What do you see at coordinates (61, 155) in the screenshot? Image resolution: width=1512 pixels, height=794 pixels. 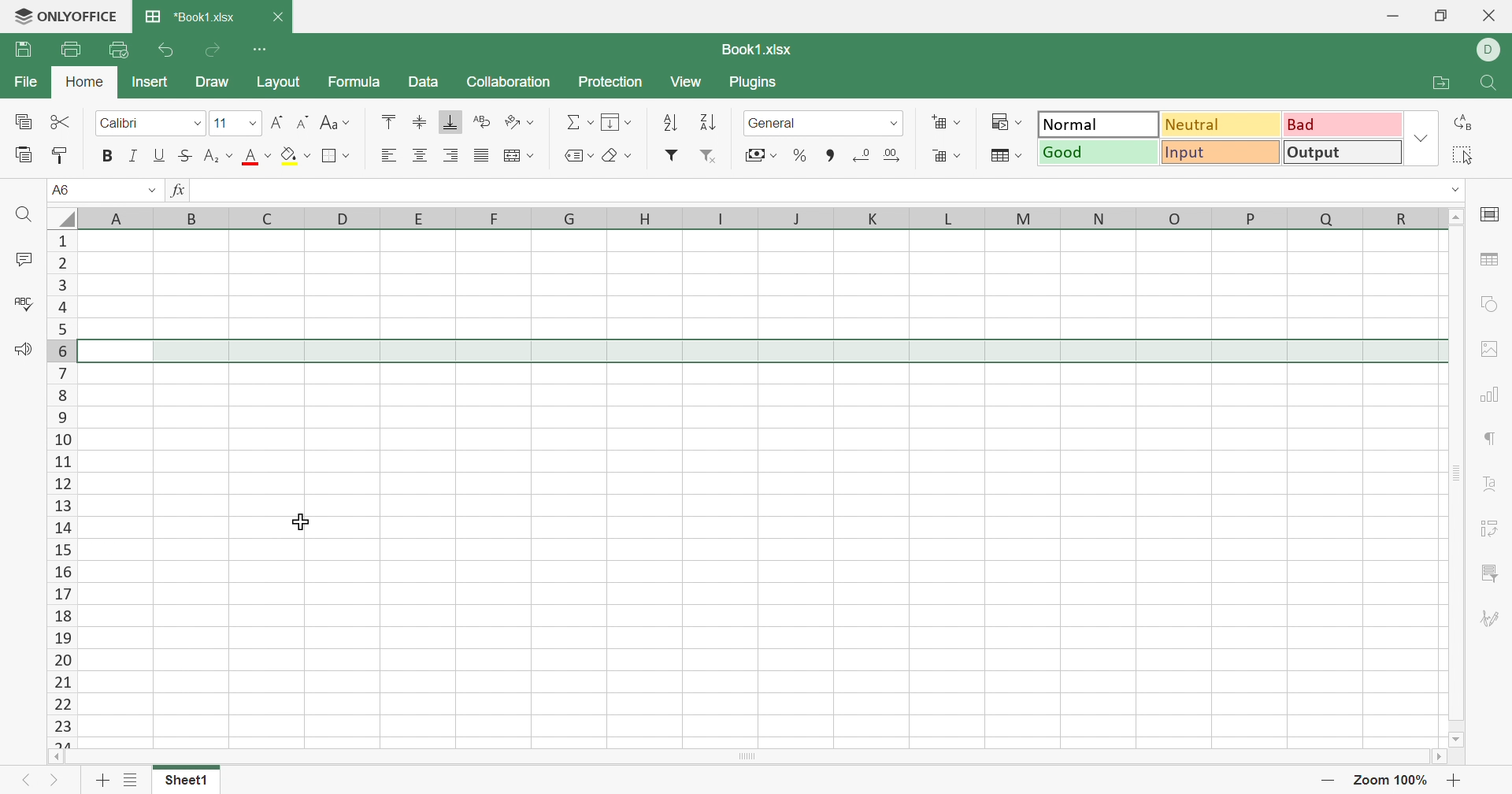 I see `Copy style` at bounding box center [61, 155].